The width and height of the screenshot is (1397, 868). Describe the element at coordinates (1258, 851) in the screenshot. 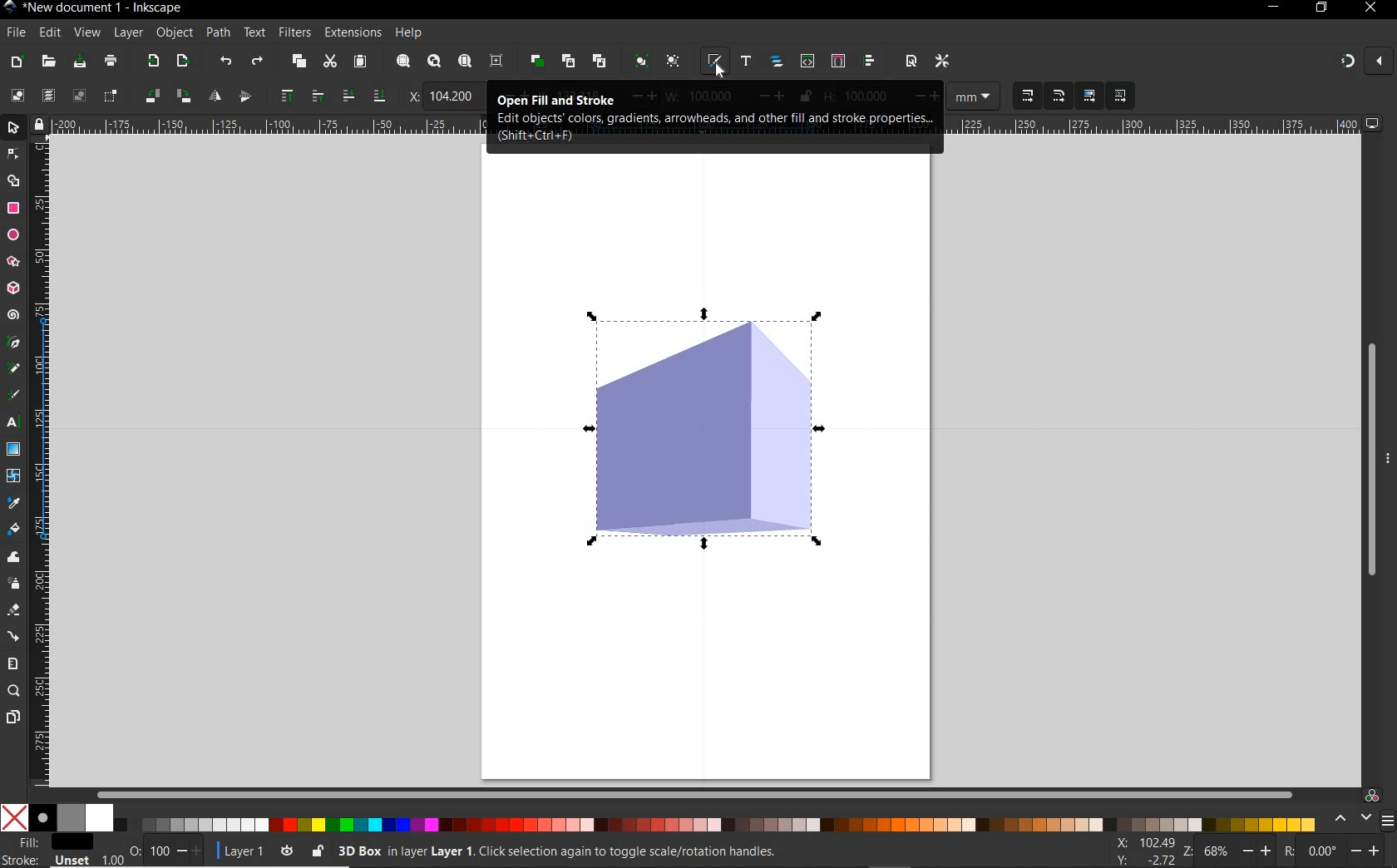

I see `increase/decrease` at that location.